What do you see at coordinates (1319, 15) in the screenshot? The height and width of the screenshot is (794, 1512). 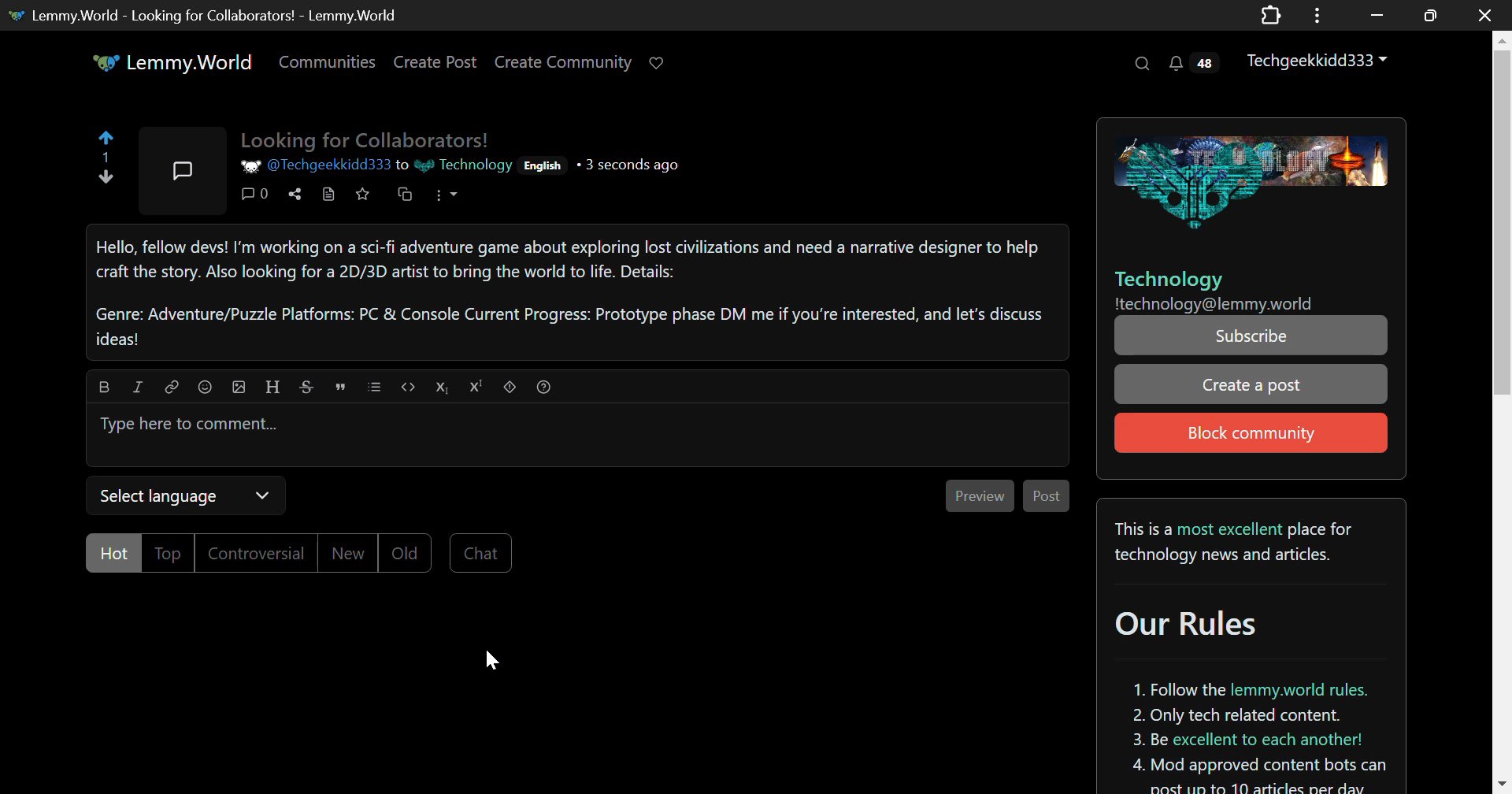 I see `Application Menu` at bounding box center [1319, 15].